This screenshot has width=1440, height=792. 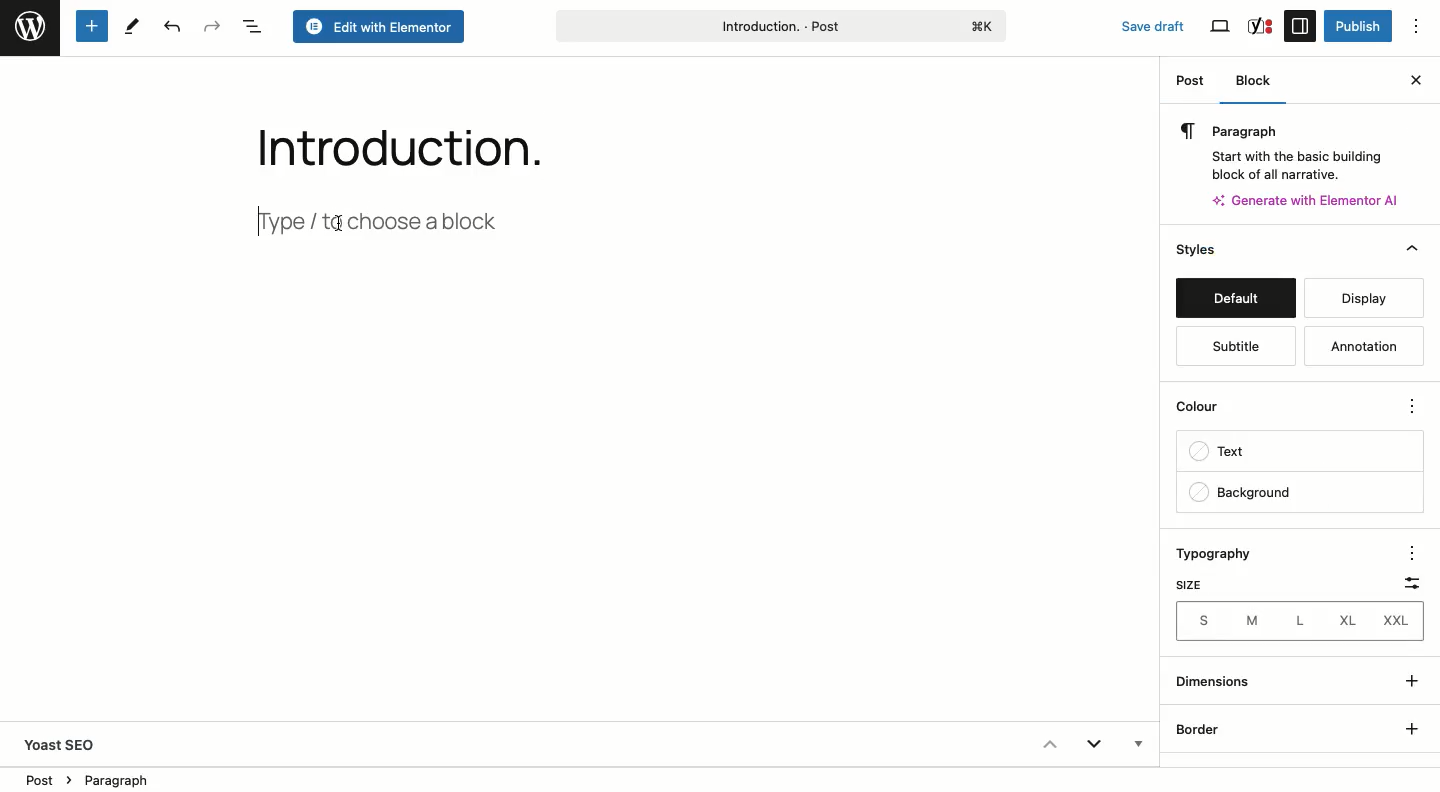 What do you see at coordinates (397, 218) in the screenshot?
I see `[Type / to choose a block` at bounding box center [397, 218].